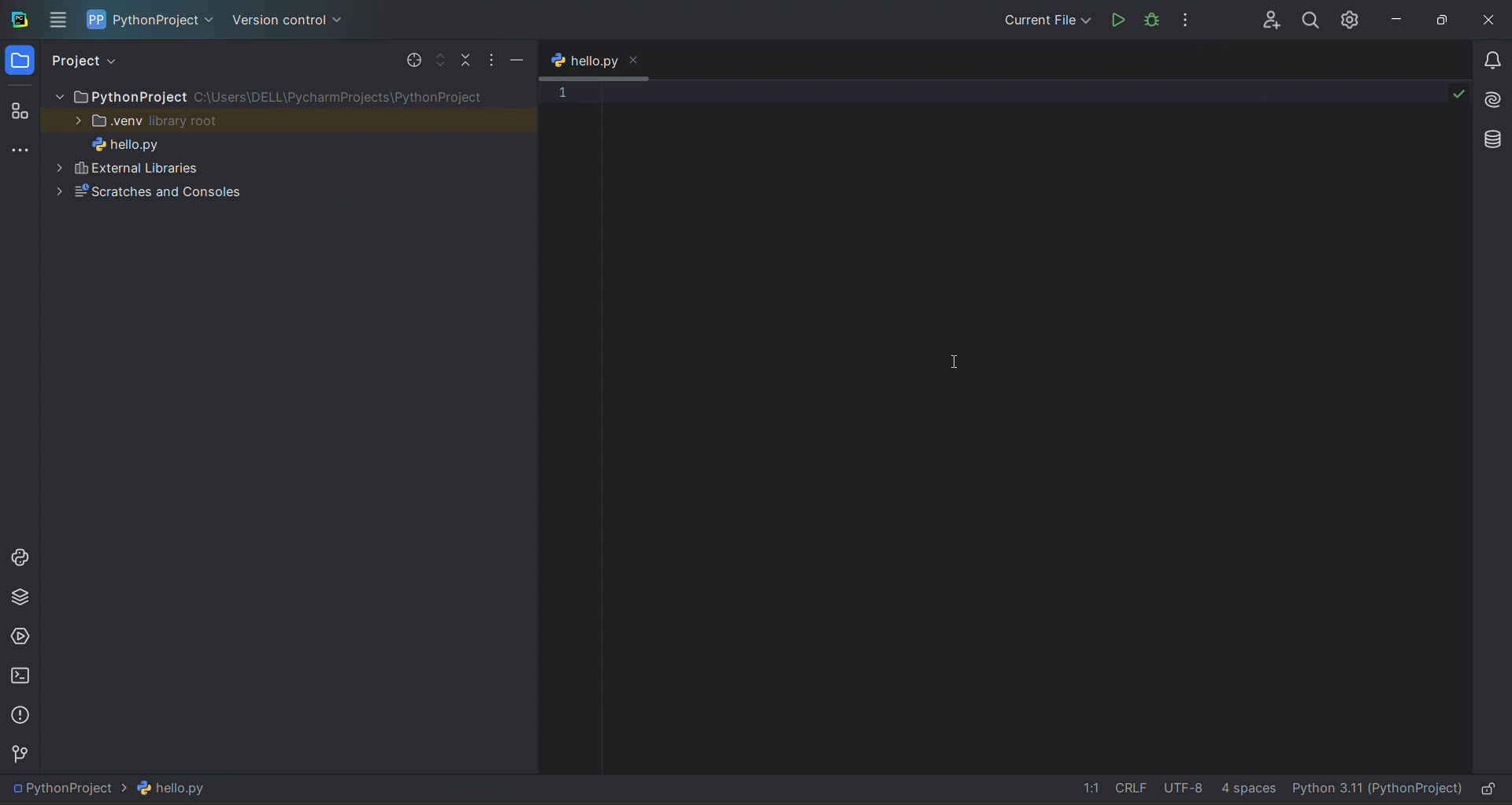 Image resolution: width=1512 pixels, height=805 pixels. What do you see at coordinates (1450, 18) in the screenshot?
I see `maximize` at bounding box center [1450, 18].